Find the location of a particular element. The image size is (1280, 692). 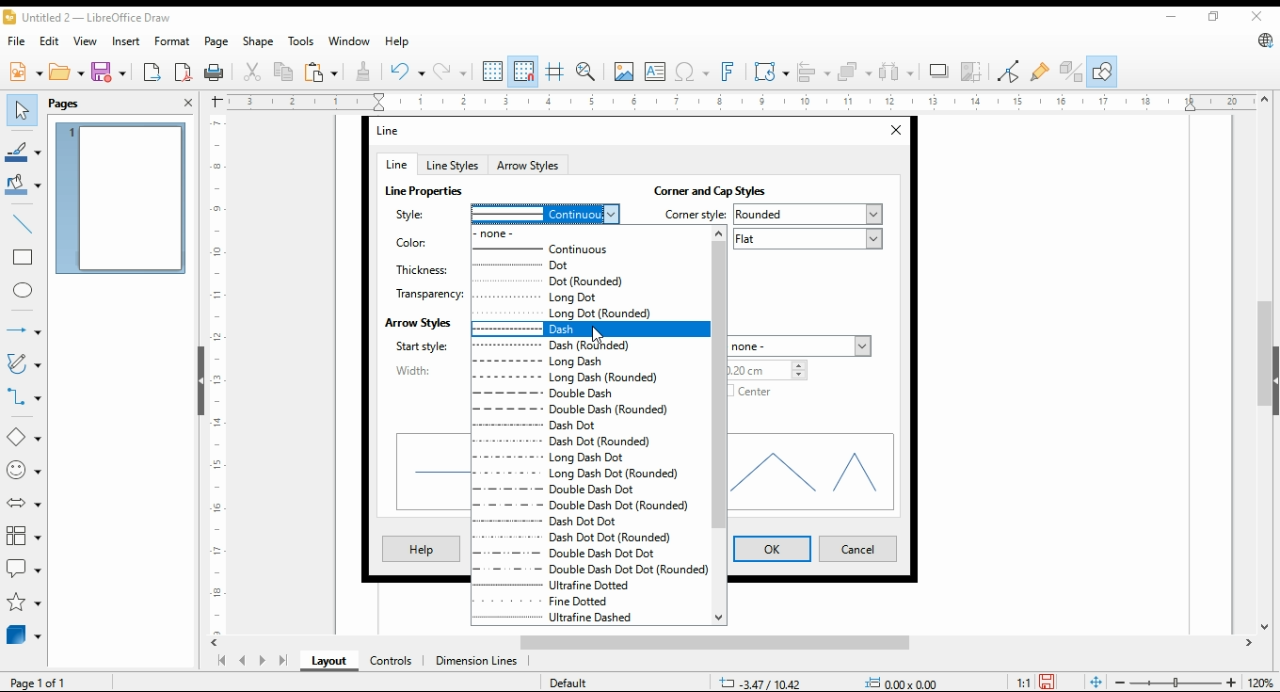

close window is located at coordinates (1258, 16).